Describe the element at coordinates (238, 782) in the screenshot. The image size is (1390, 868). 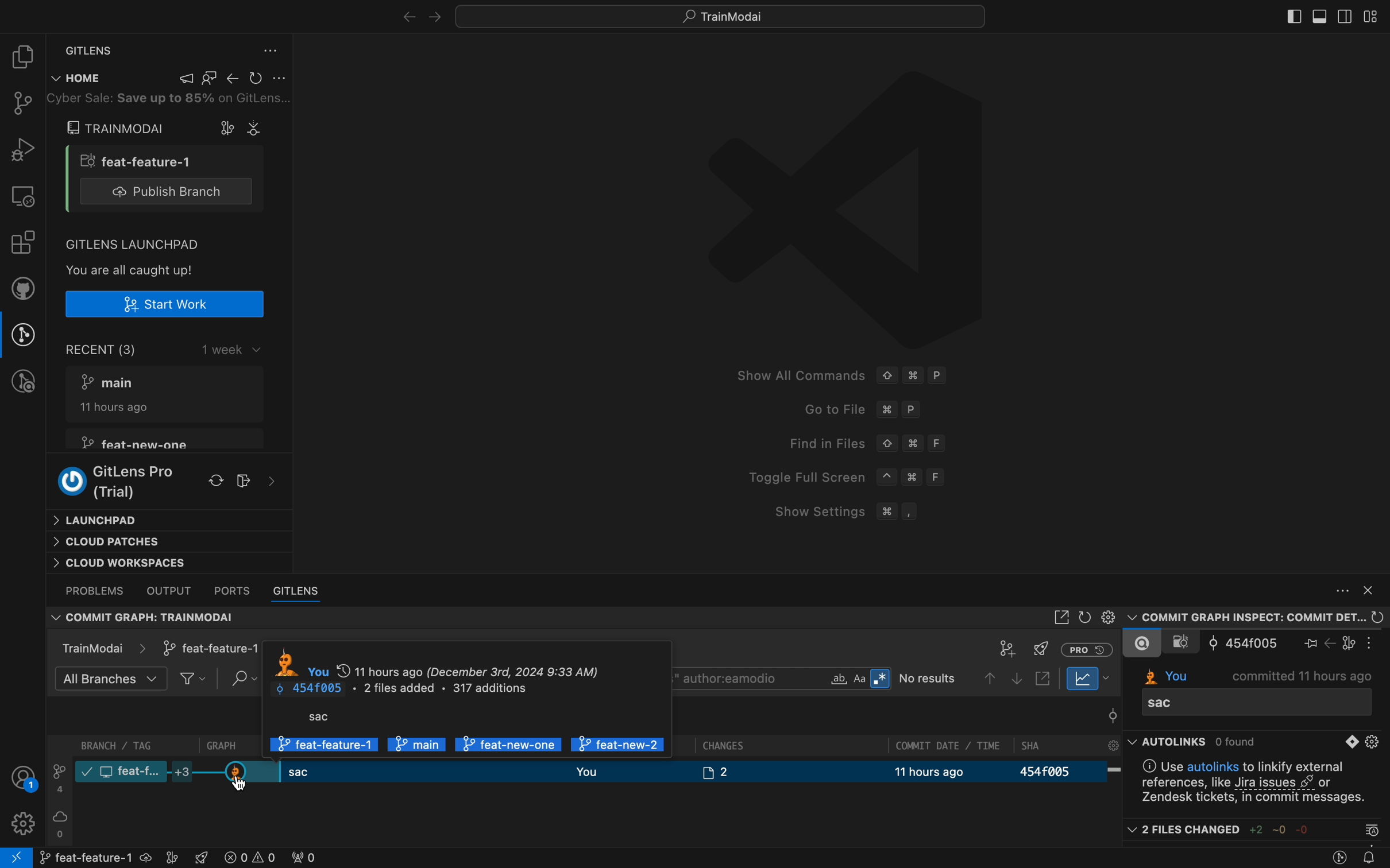
I see `Cursor` at that location.